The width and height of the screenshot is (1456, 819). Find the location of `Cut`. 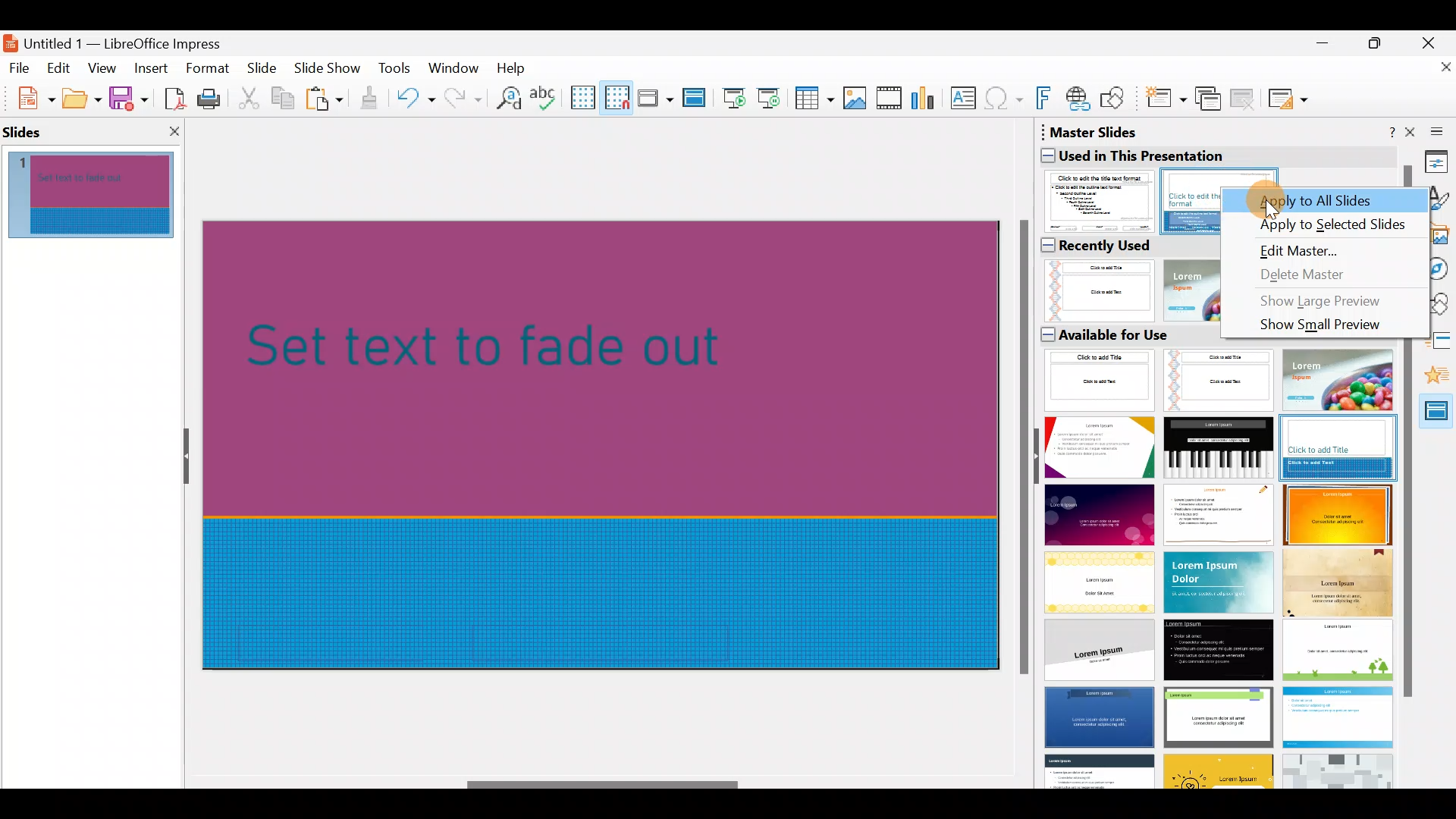

Cut is located at coordinates (251, 99).